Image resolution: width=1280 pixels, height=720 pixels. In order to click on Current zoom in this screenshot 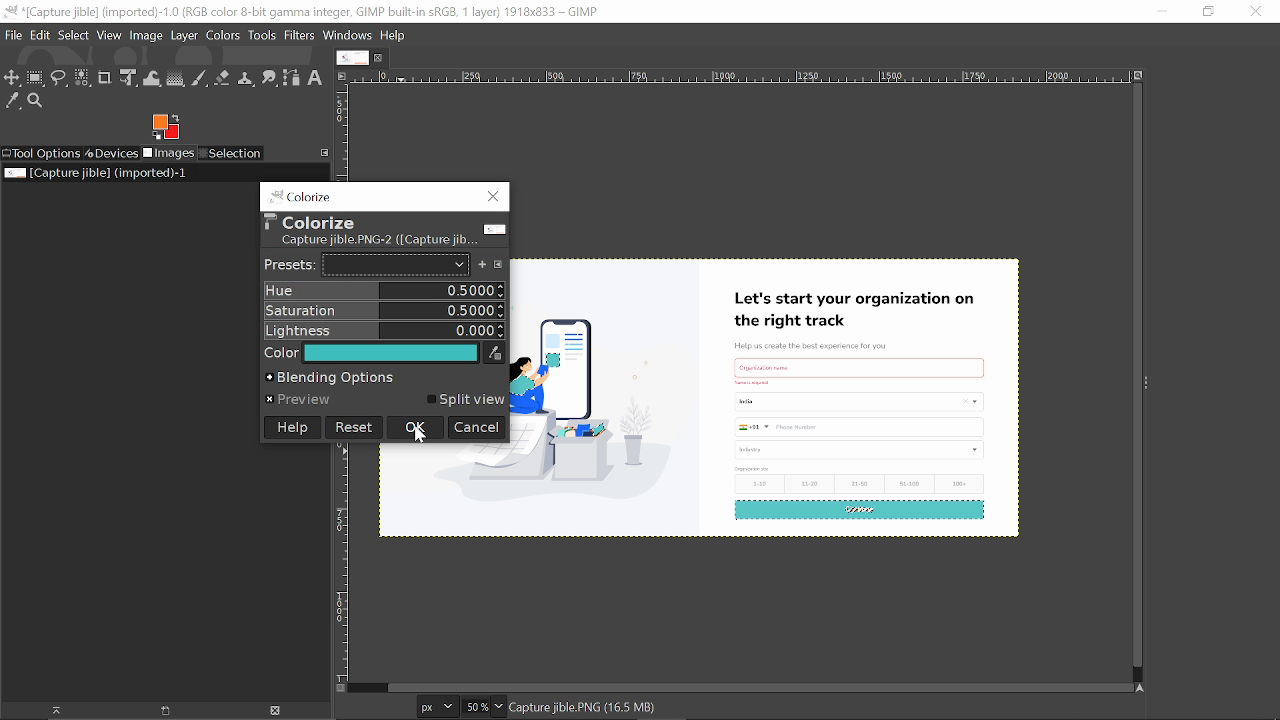, I will do `click(474, 707)`.